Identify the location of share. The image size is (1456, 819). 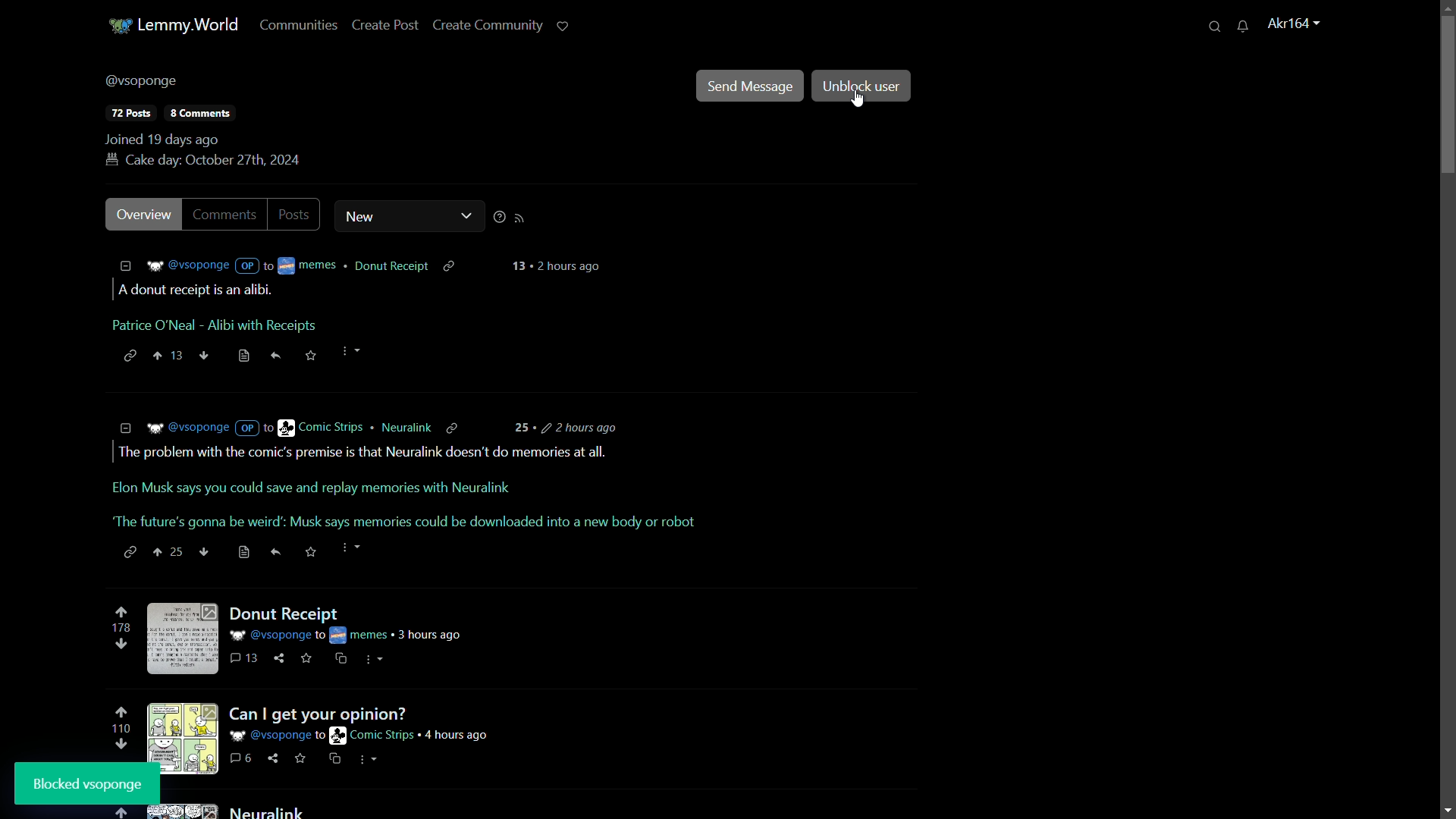
(273, 355).